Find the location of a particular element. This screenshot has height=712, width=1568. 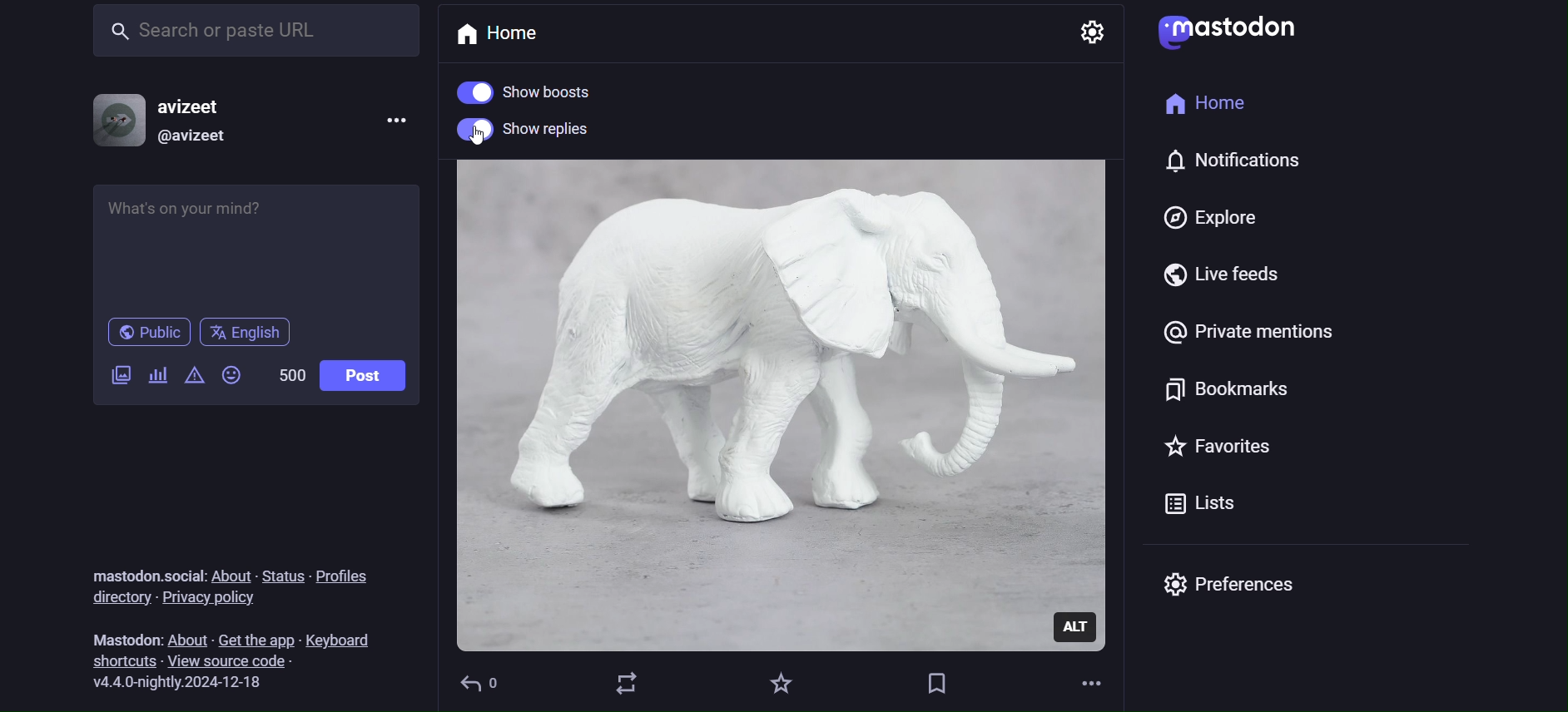

ALT is located at coordinates (1076, 626).